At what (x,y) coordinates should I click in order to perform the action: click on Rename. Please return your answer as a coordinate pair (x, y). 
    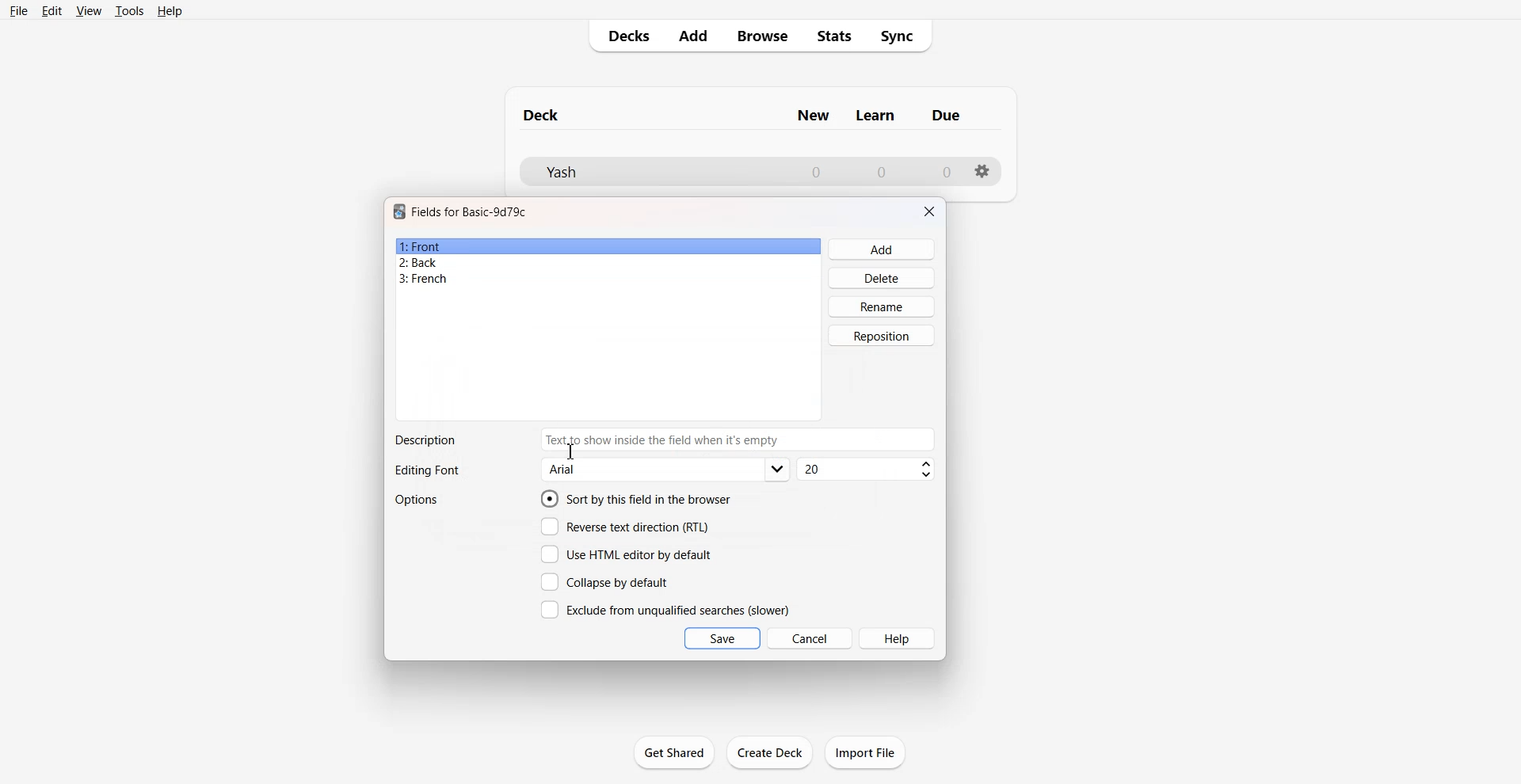
    Looking at the image, I should click on (882, 306).